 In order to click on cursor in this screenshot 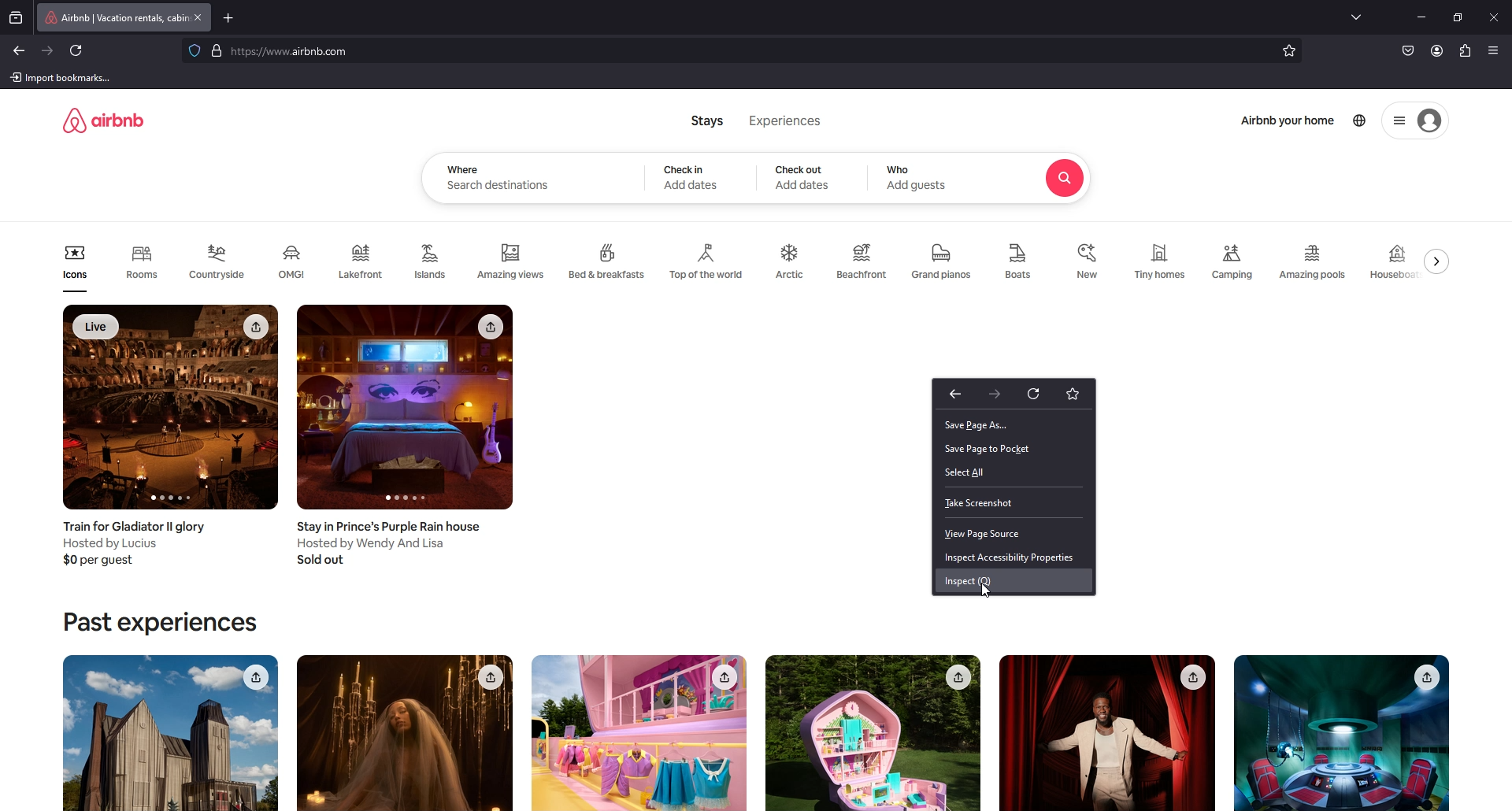, I will do `click(990, 591)`.